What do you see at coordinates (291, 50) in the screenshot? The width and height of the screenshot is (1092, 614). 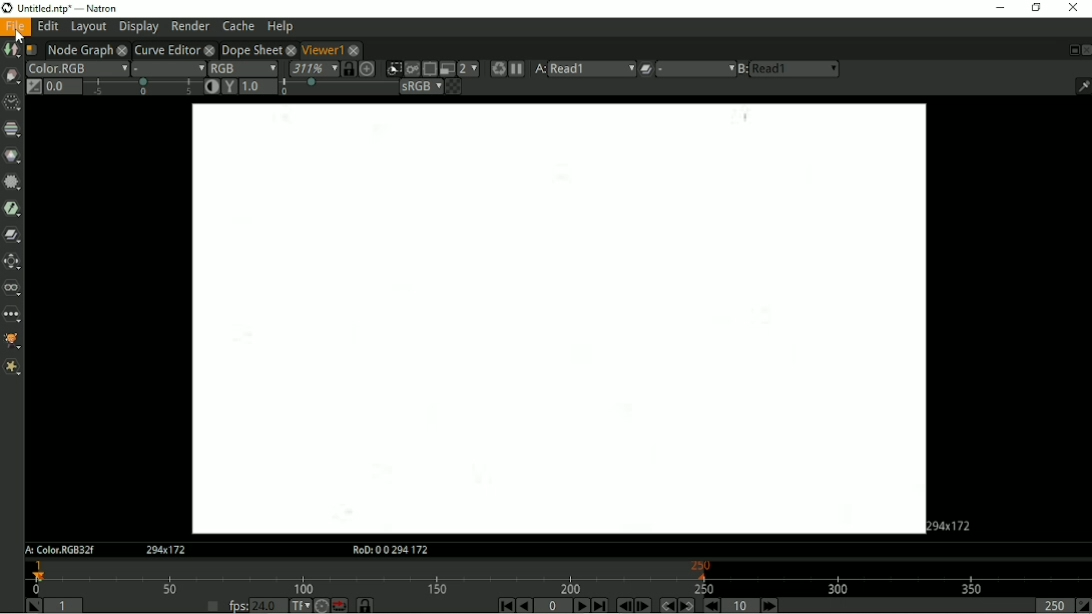 I see `close` at bounding box center [291, 50].